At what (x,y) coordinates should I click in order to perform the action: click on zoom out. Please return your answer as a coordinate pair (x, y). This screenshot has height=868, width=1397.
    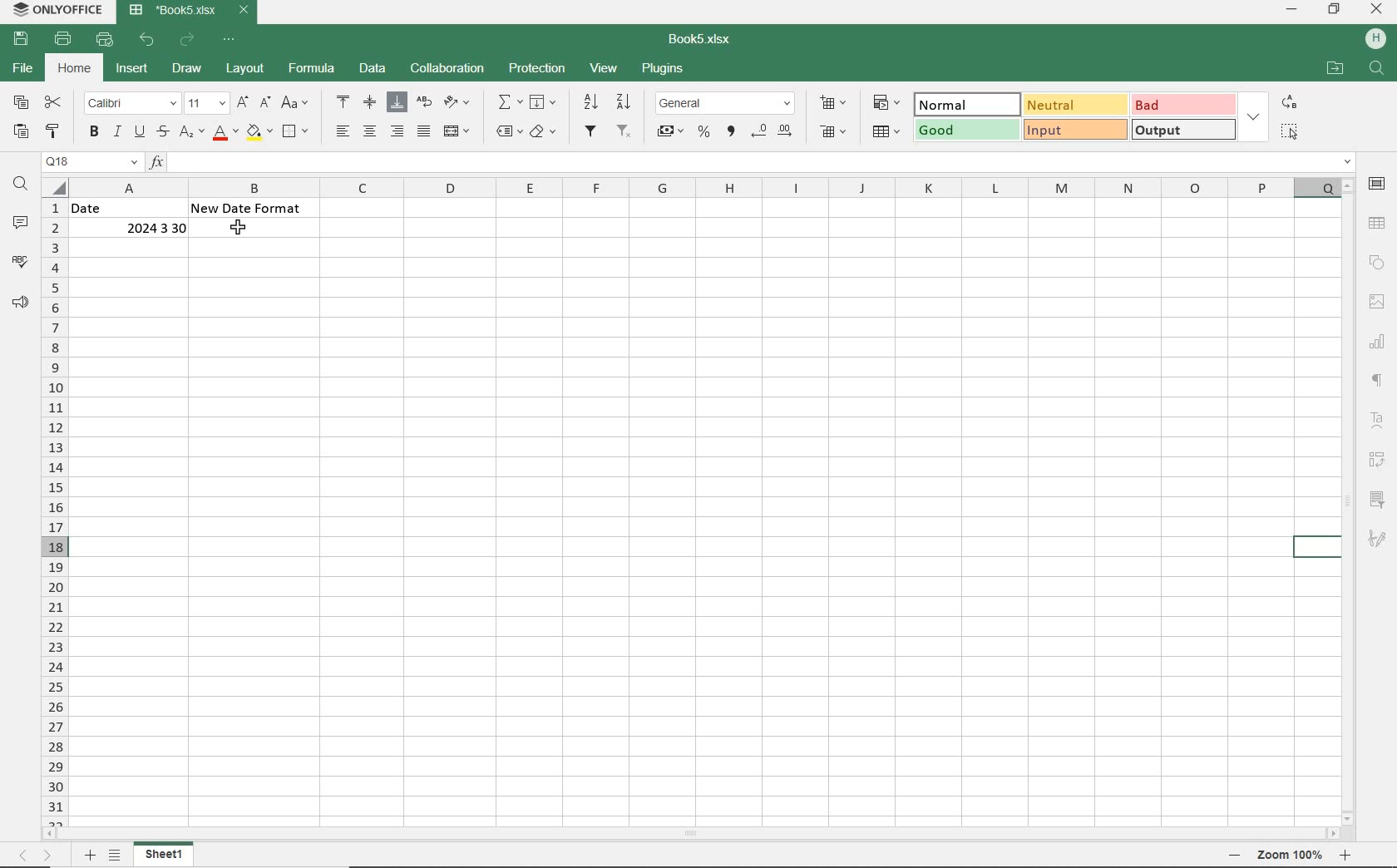
    Looking at the image, I should click on (1233, 855).